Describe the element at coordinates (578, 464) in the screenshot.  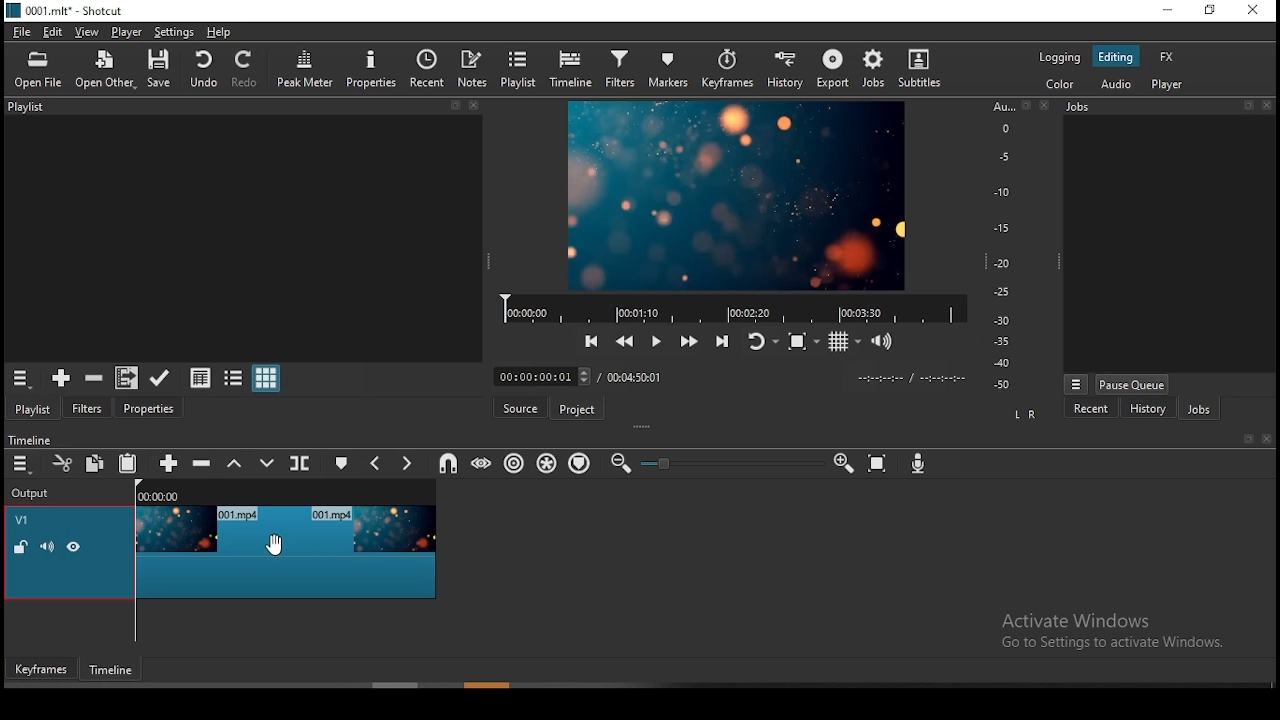
I see `ripple markers` at that location.